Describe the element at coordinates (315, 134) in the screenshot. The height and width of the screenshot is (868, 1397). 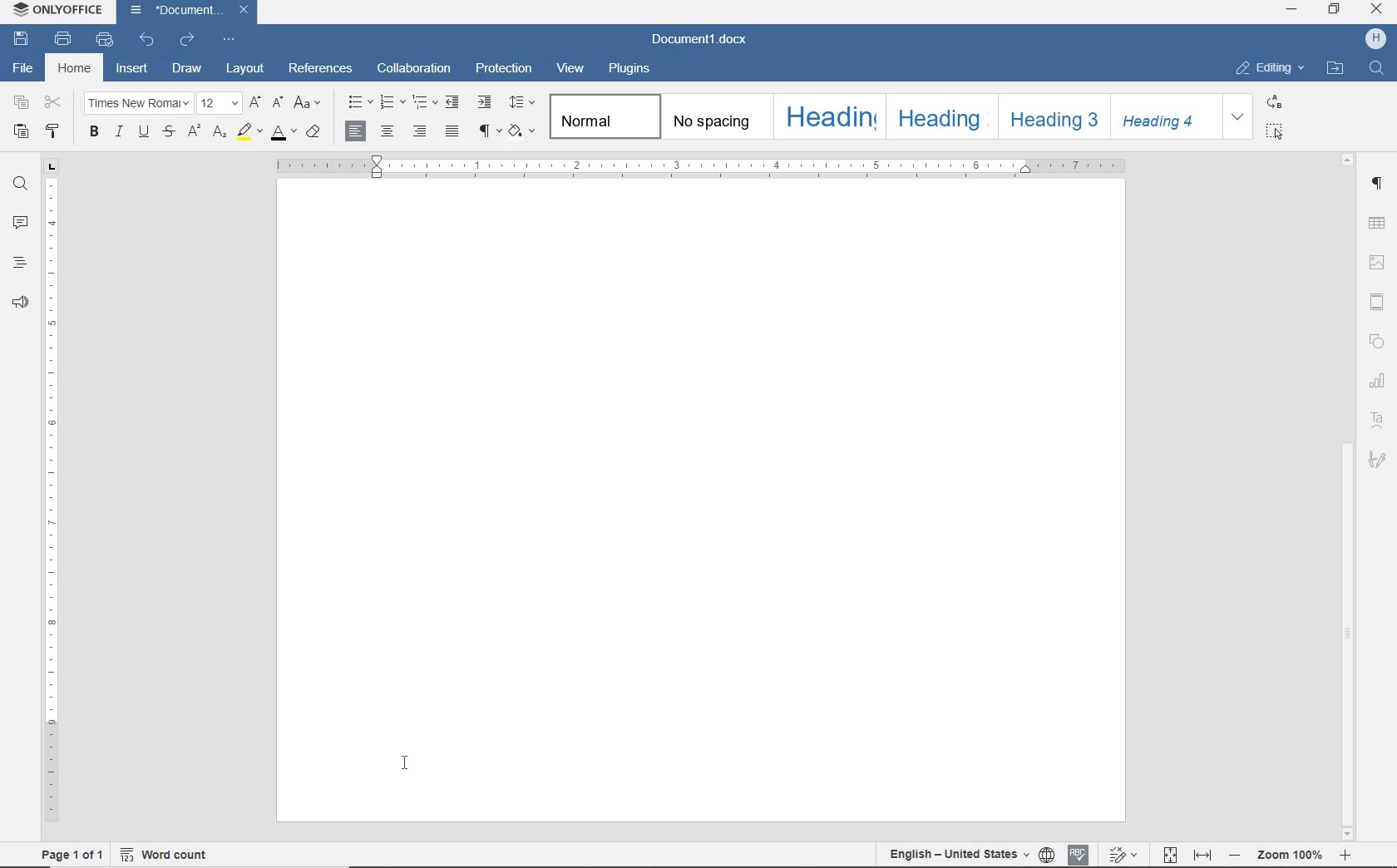
I see `CLEAR STYLE` at that location.